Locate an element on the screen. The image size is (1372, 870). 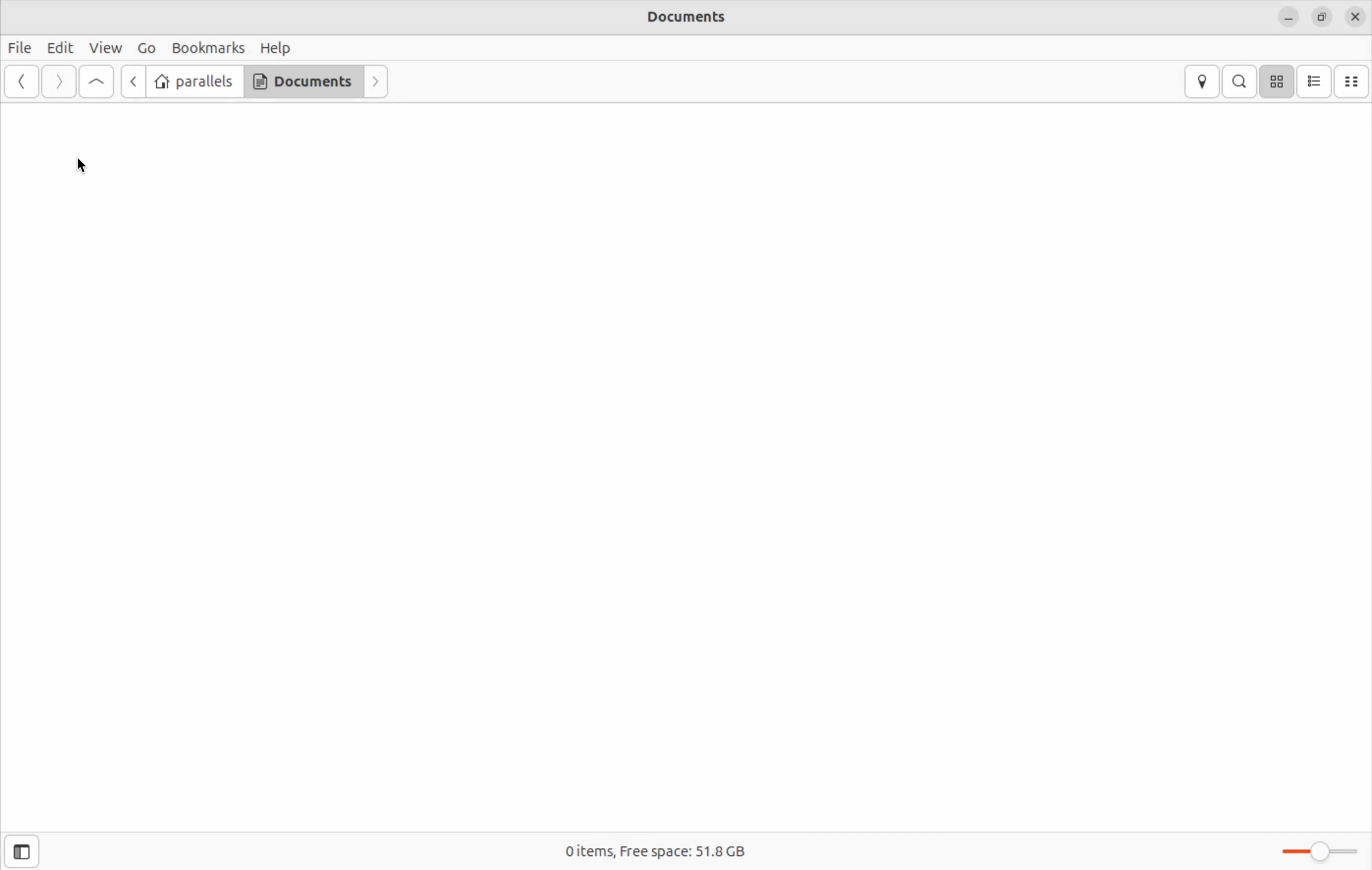
Zoom is located at coordinates (1318, 851).